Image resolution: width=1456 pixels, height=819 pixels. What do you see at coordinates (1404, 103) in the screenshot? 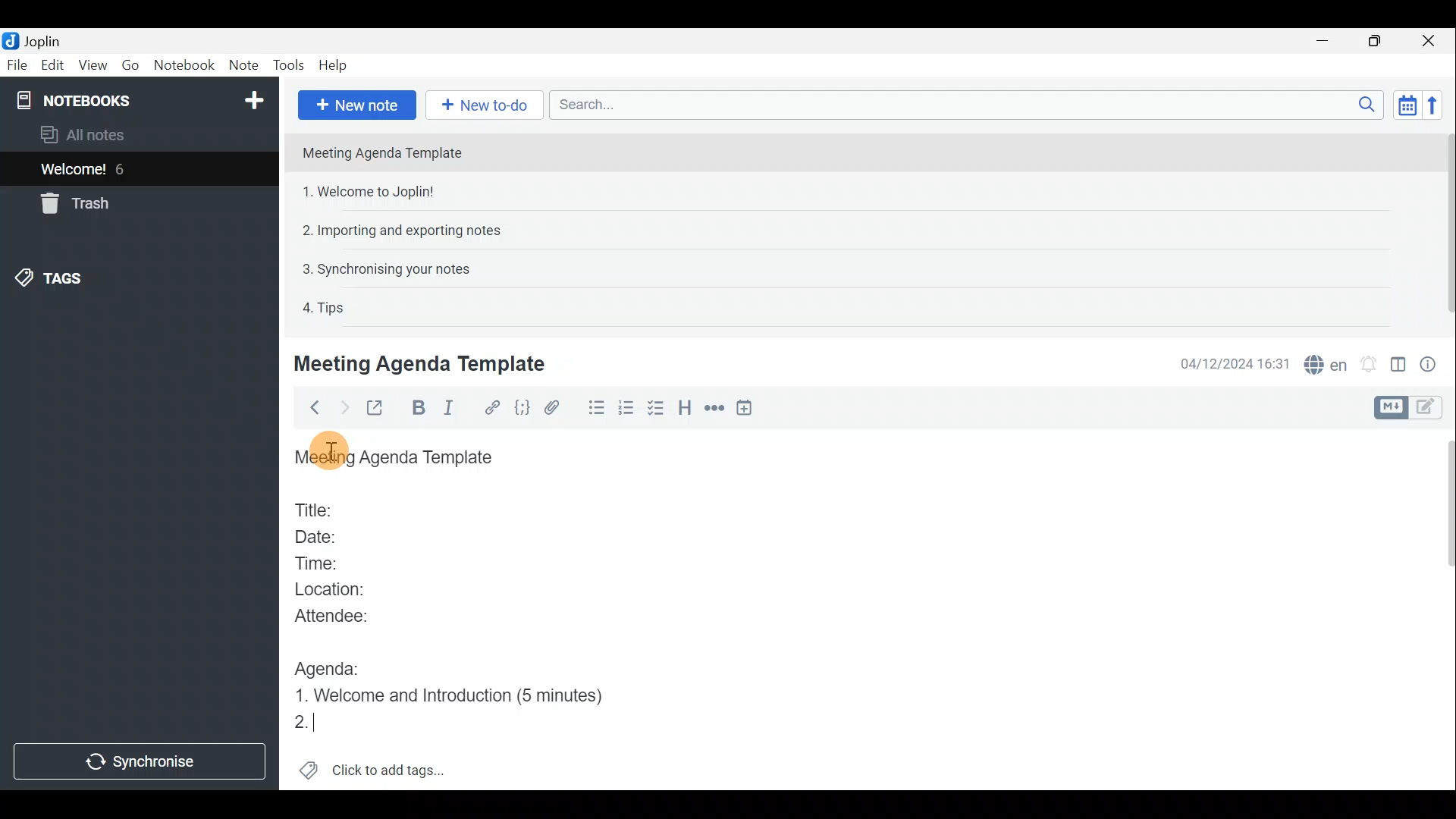
I see `Toggle sort order` at bounding box center [1404, 103].